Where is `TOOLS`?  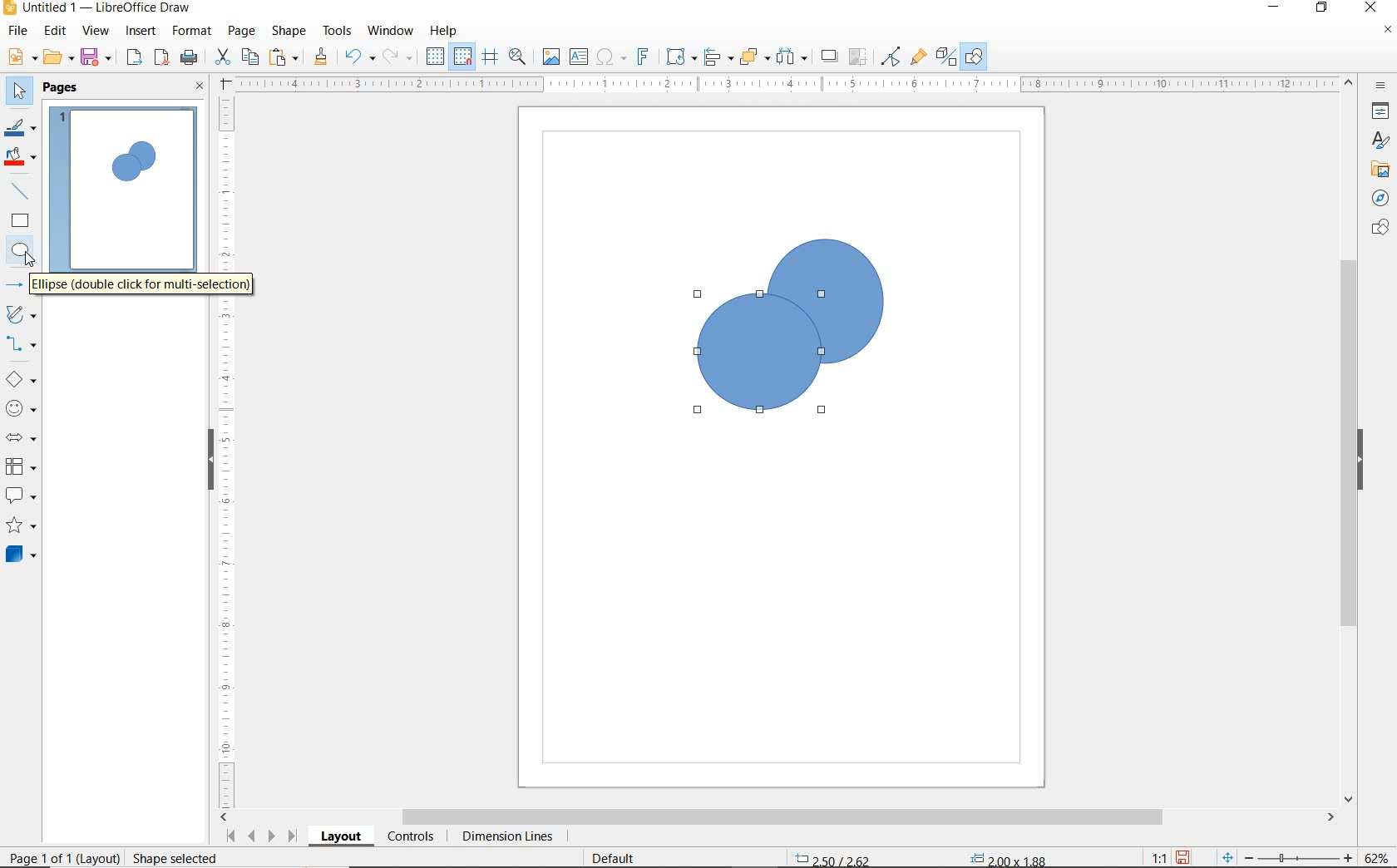 TOOLS is located at coordinates (337, 30).